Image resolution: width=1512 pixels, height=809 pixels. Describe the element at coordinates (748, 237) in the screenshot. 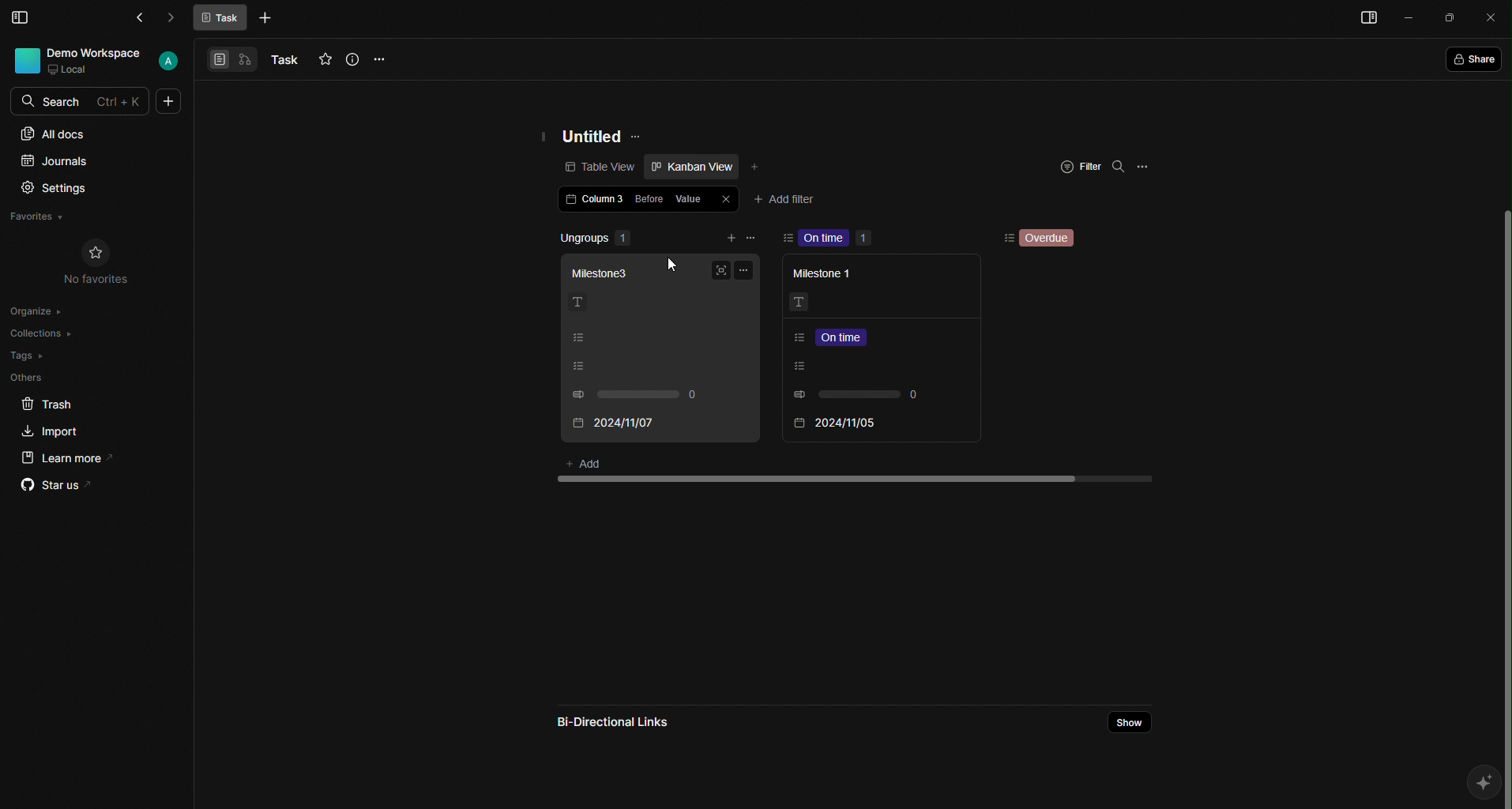

I see `remove` at that location.